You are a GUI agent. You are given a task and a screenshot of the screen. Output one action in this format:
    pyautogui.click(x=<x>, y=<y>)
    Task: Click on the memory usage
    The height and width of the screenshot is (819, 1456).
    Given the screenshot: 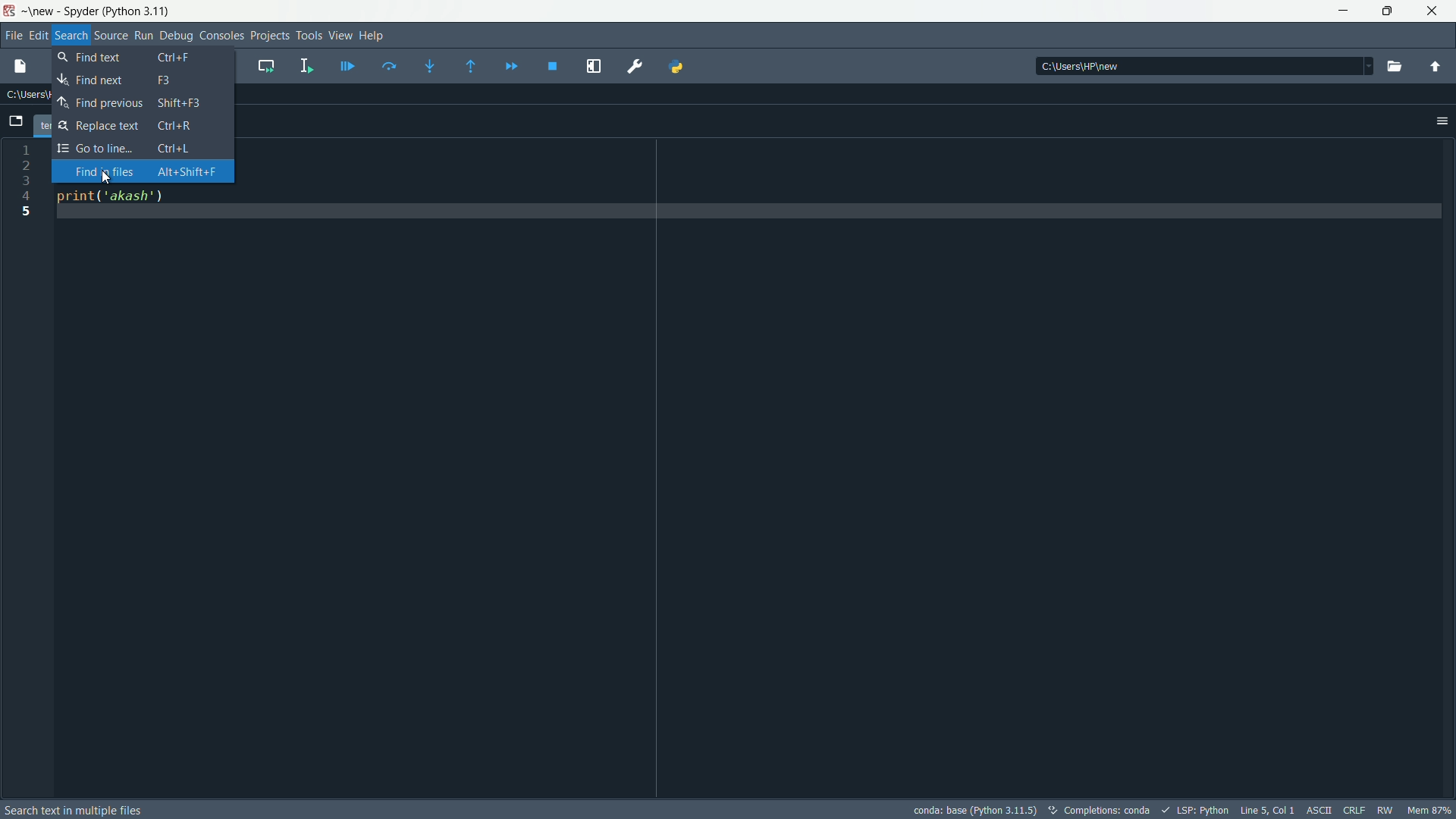 What is the action you would take?
    pyautogui.click(x=1429, y=810)
    